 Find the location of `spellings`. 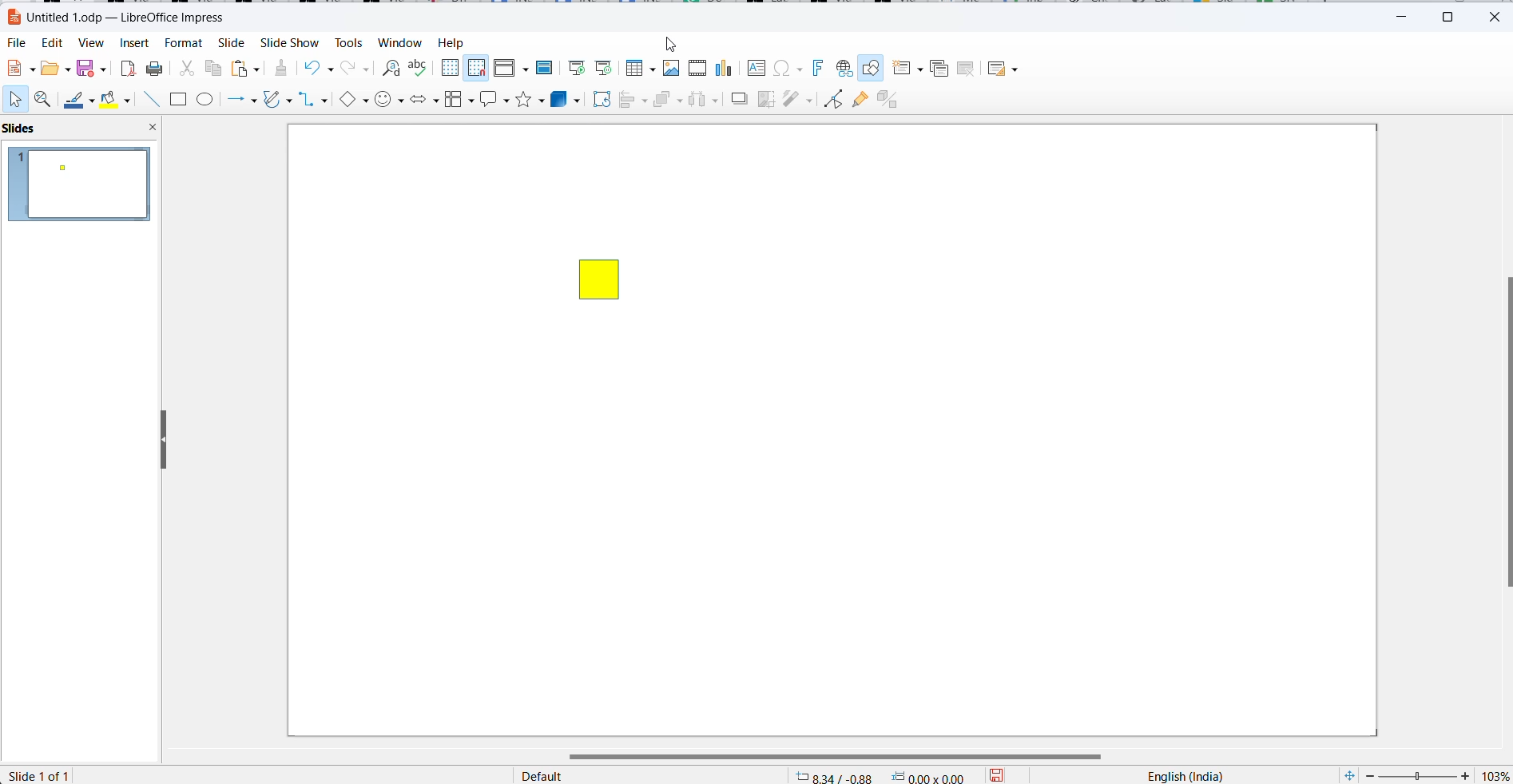

spellings is located at coordinates (419, 68).